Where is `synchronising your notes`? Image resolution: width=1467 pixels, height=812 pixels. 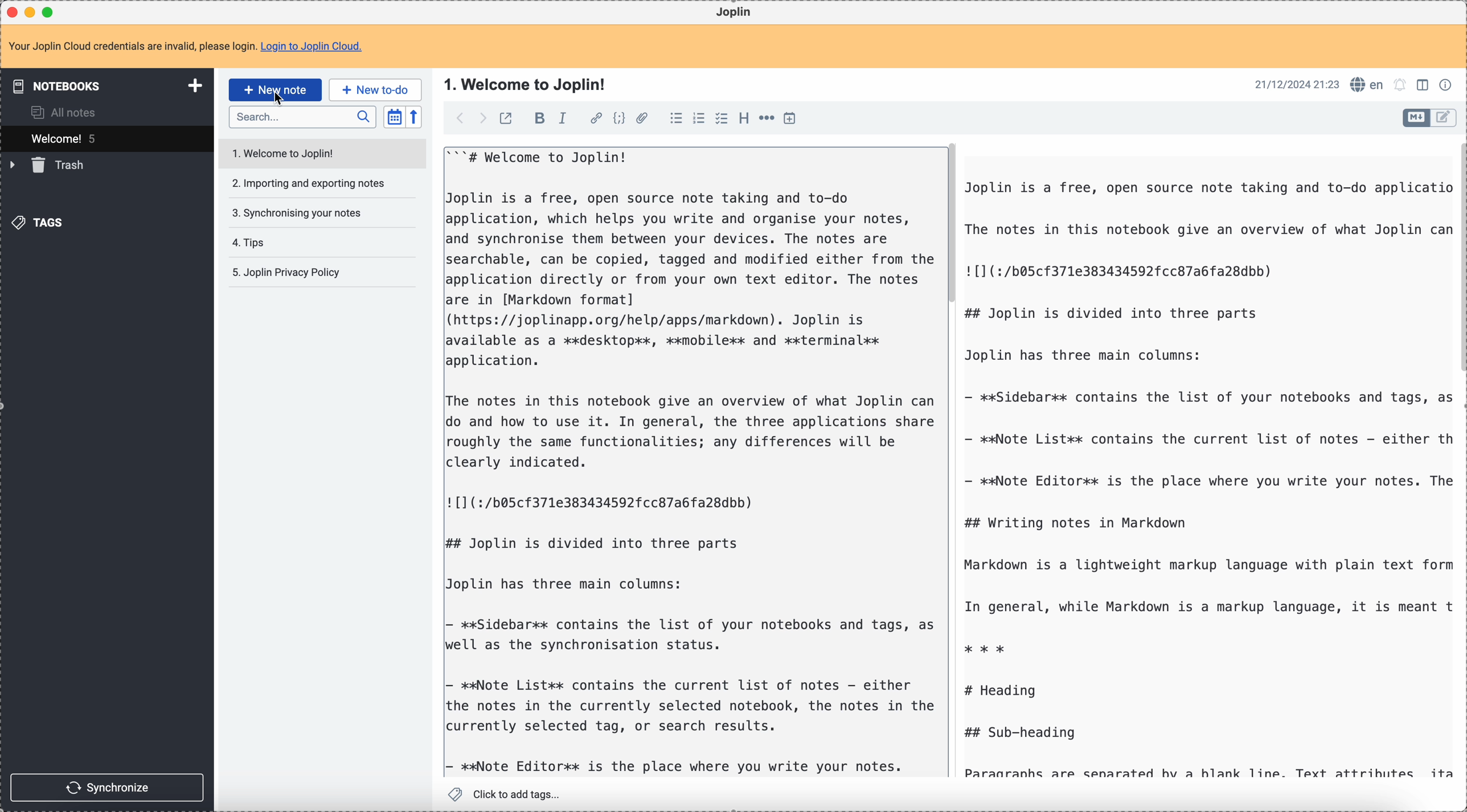 synchronising your notes is located at coordinates (296, 212).